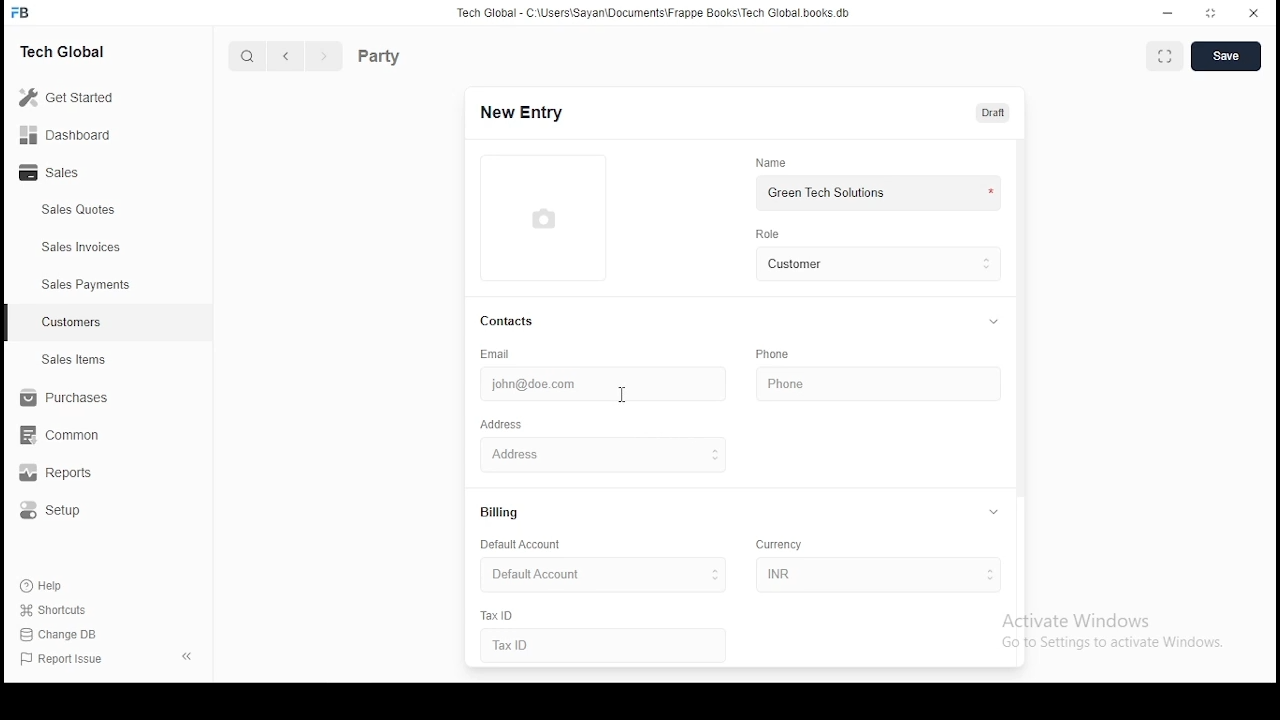 This screenshot has width=1280, height=720. I want to click on save, so click(1225, 56).